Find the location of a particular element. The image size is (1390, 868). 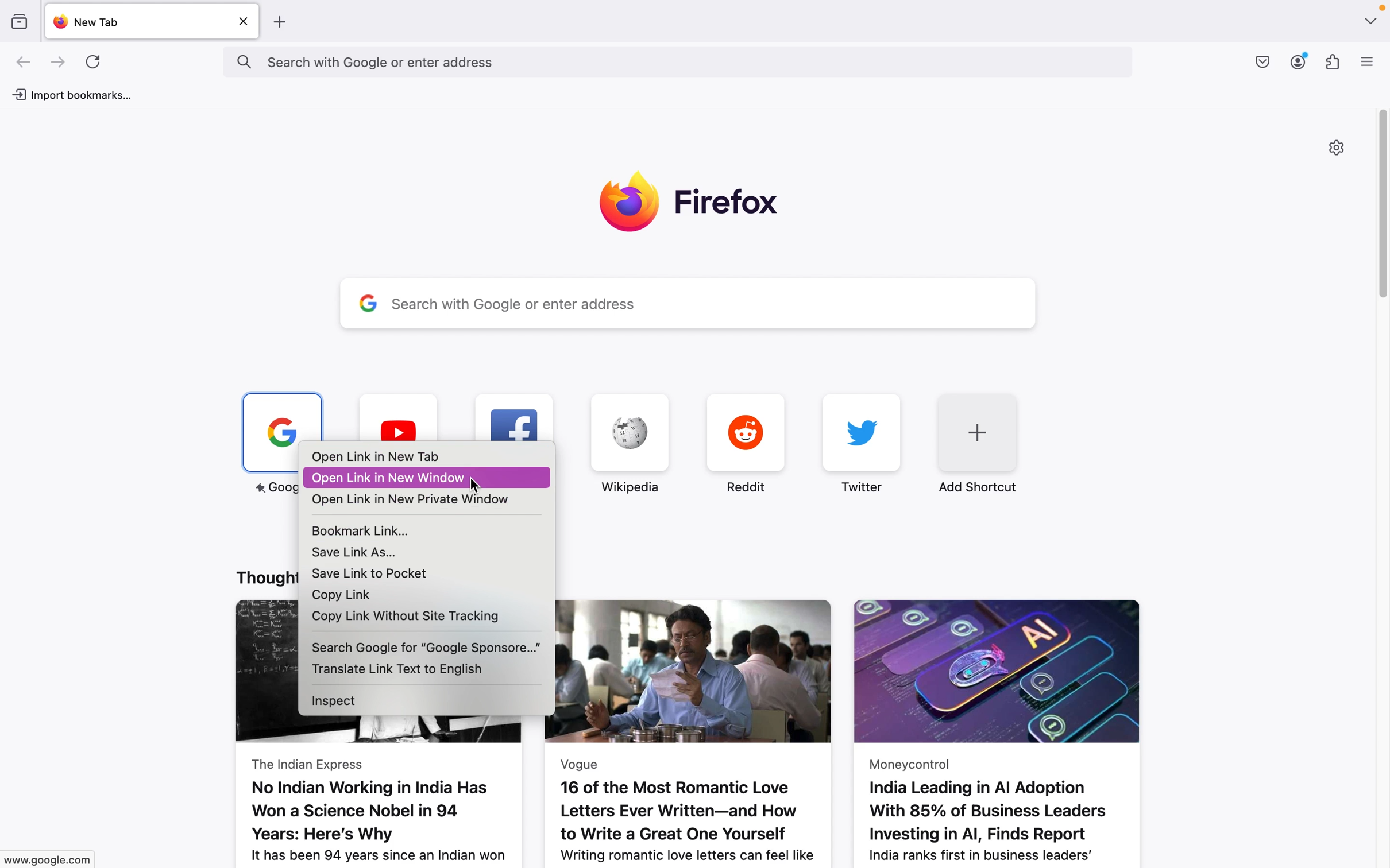

go forward is located at coordinates (59, 63).